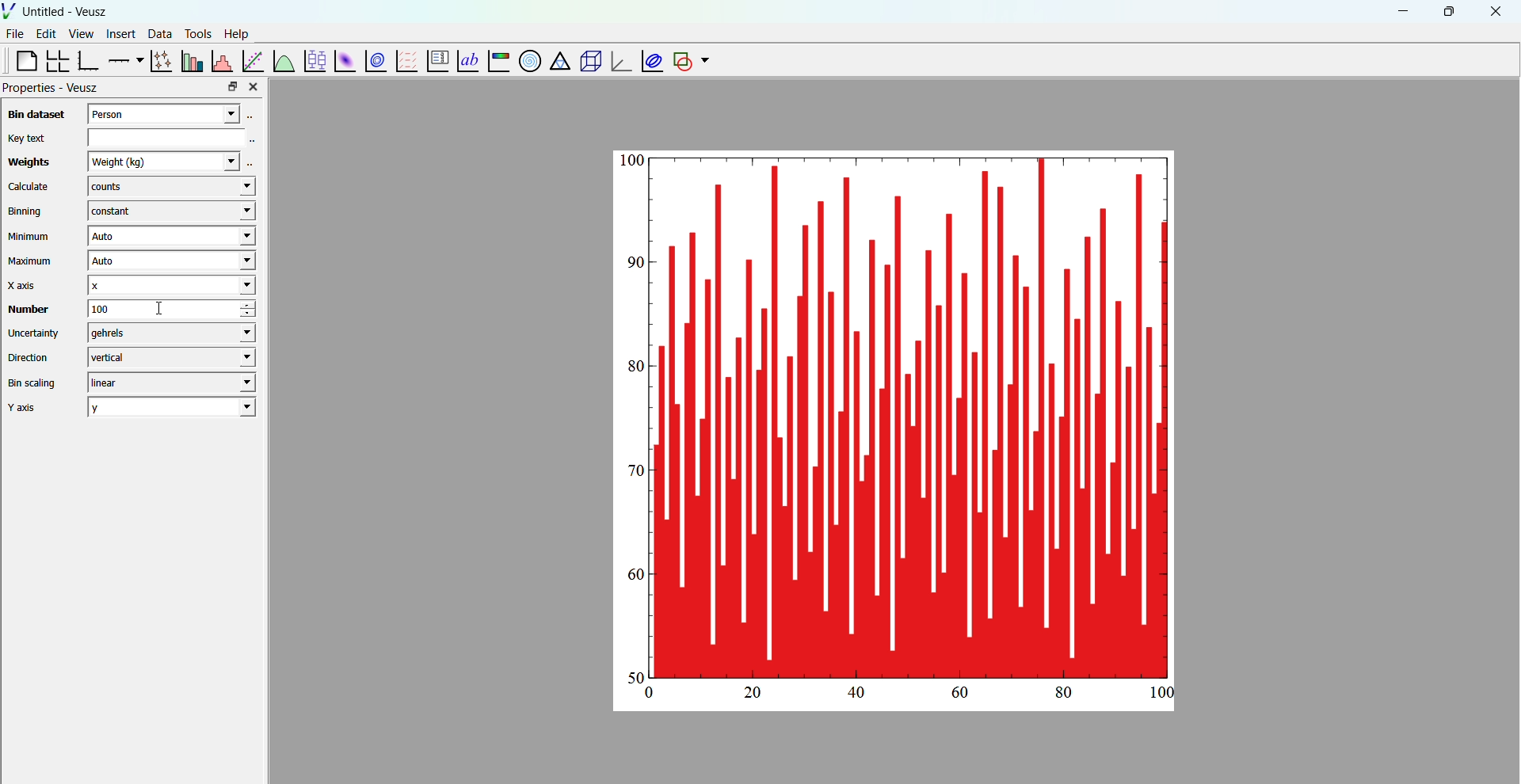 The height and width of the screenshot is (784, 1521). What do you see at coordinates (255, 86) in the screenshot?
I see `close property bar` at bounding box center [255, 86].